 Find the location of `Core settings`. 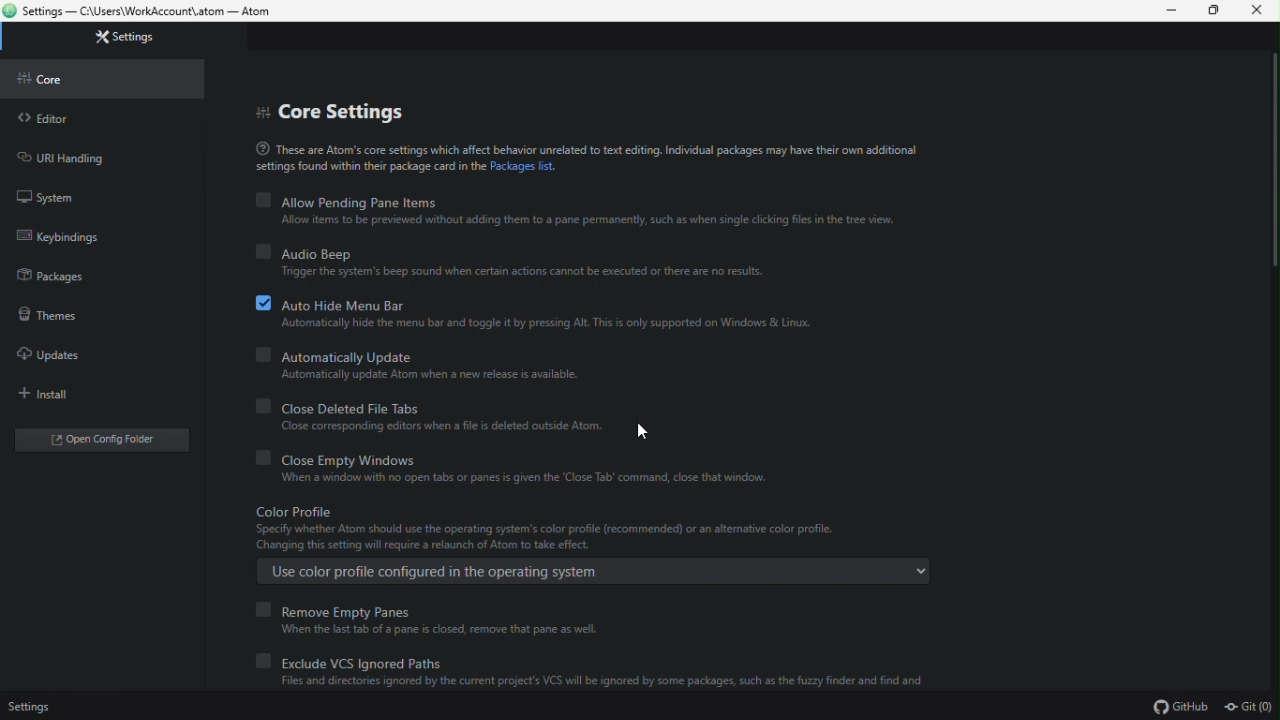

Core settings is located at coordinates (344, 109).